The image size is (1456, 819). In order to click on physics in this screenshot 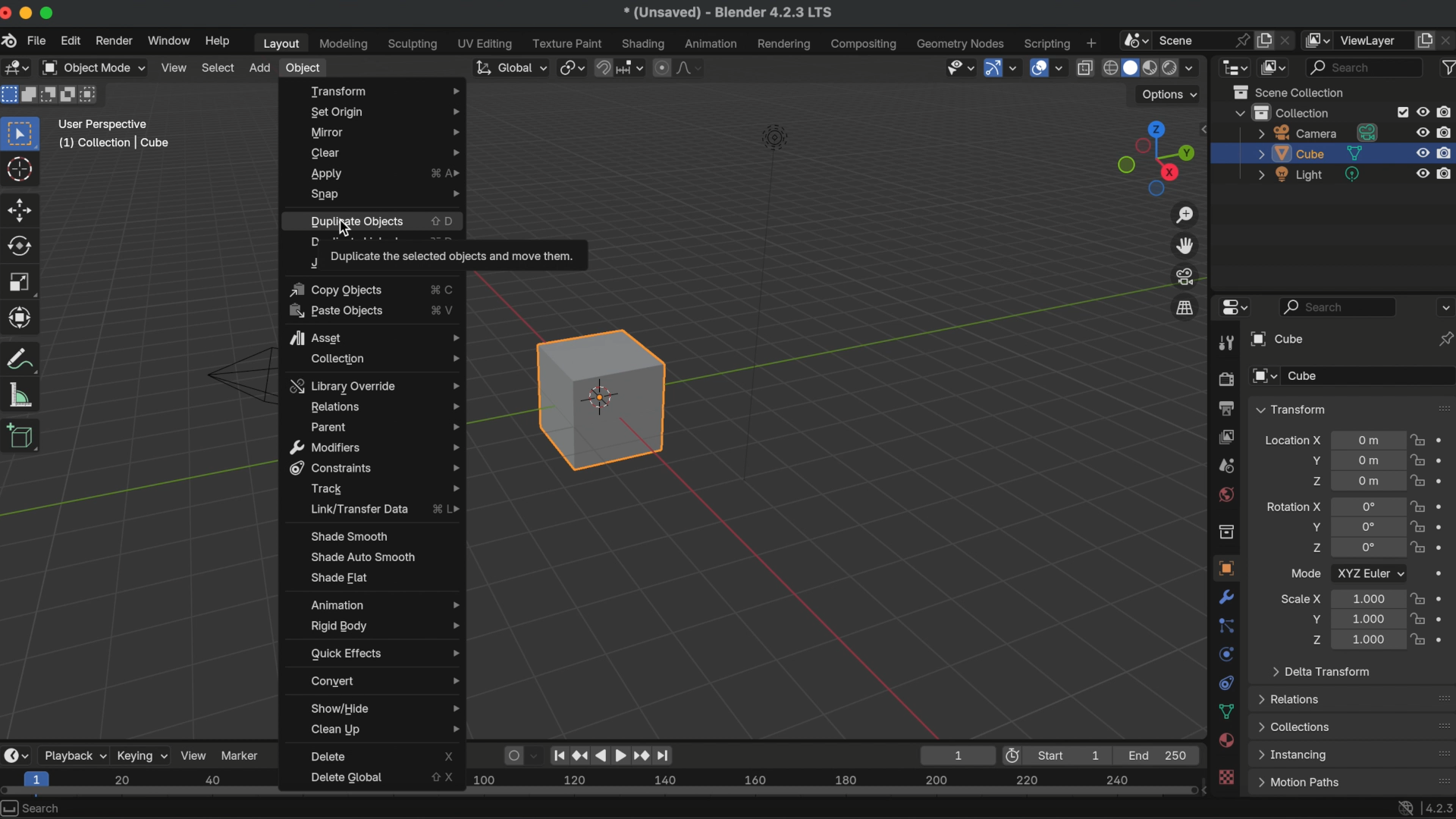, I will do `click(1225, 654)`.